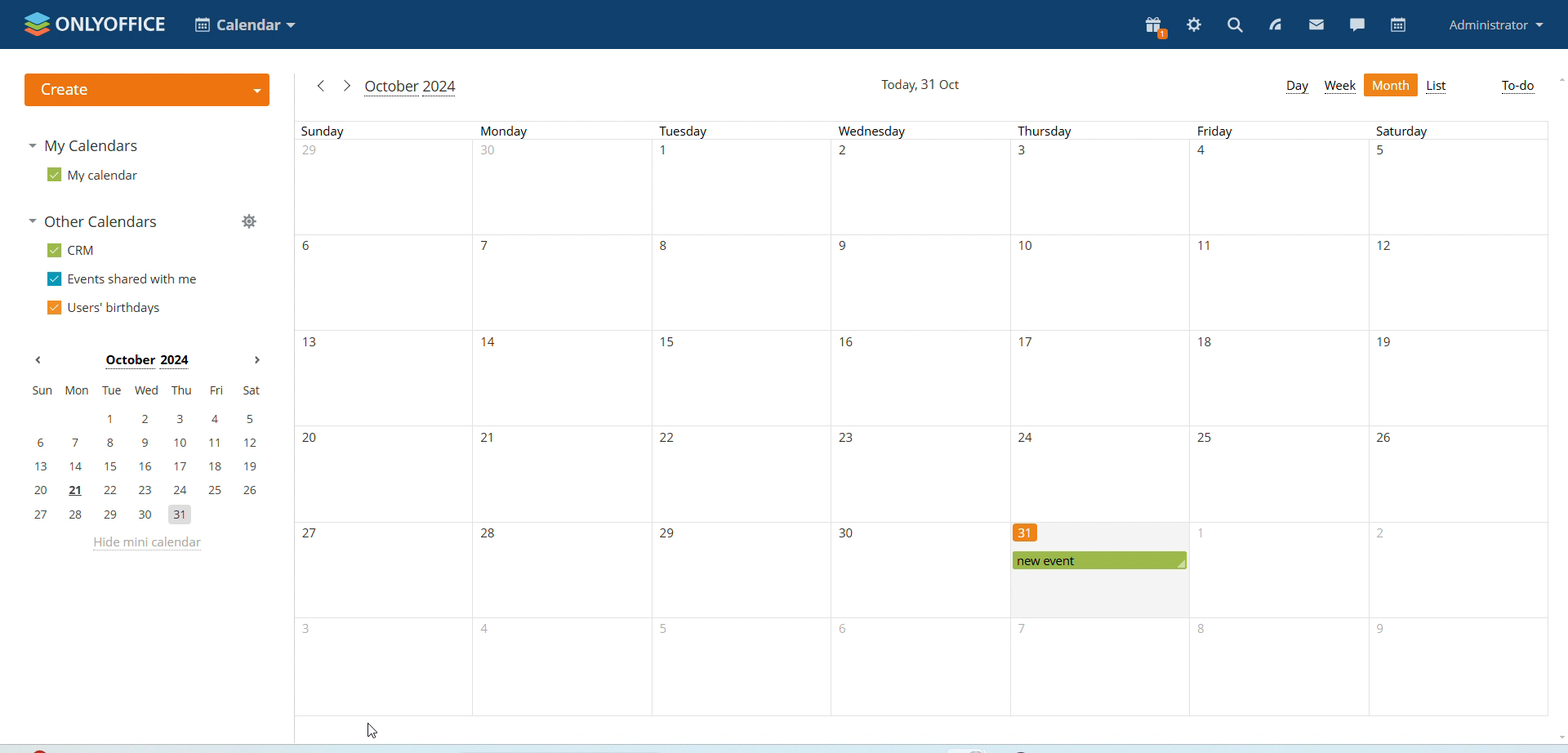 The width and height of the screenshot is (1568, 753). Describe the element at coordinates (1497, 25) in the screenshot. I see `administrator` at that location.